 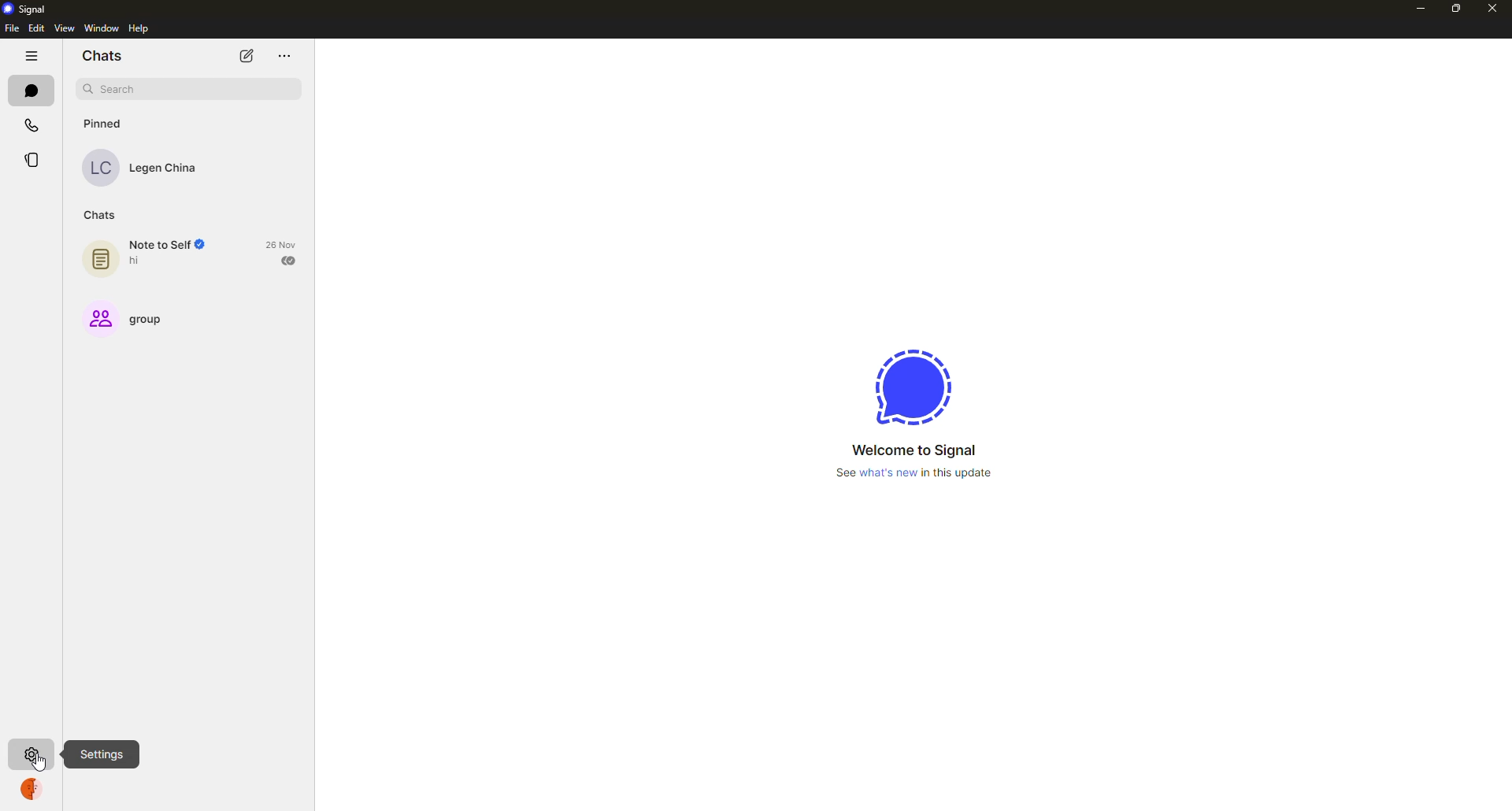 What do you see at coordinates (1455, 9) in the screenshot?
I see `maximize` at bounding box center [1455, 9].